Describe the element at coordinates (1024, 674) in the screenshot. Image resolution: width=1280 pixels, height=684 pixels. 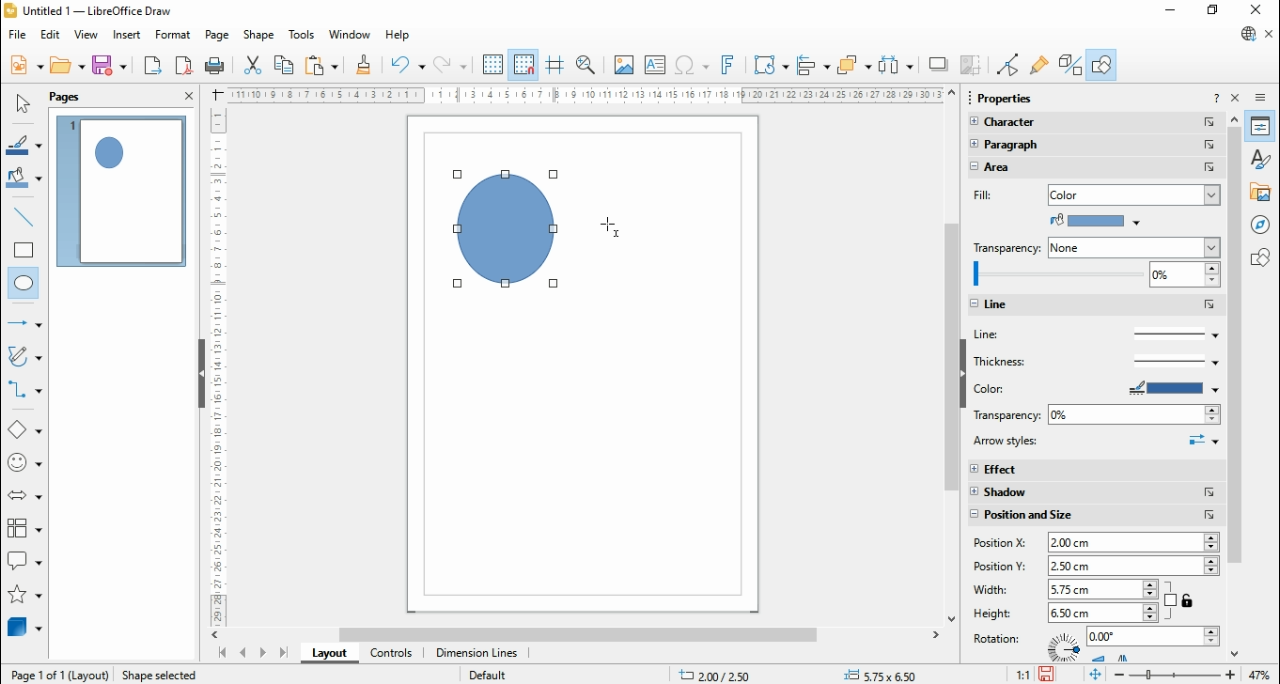
I see `11` at that location.